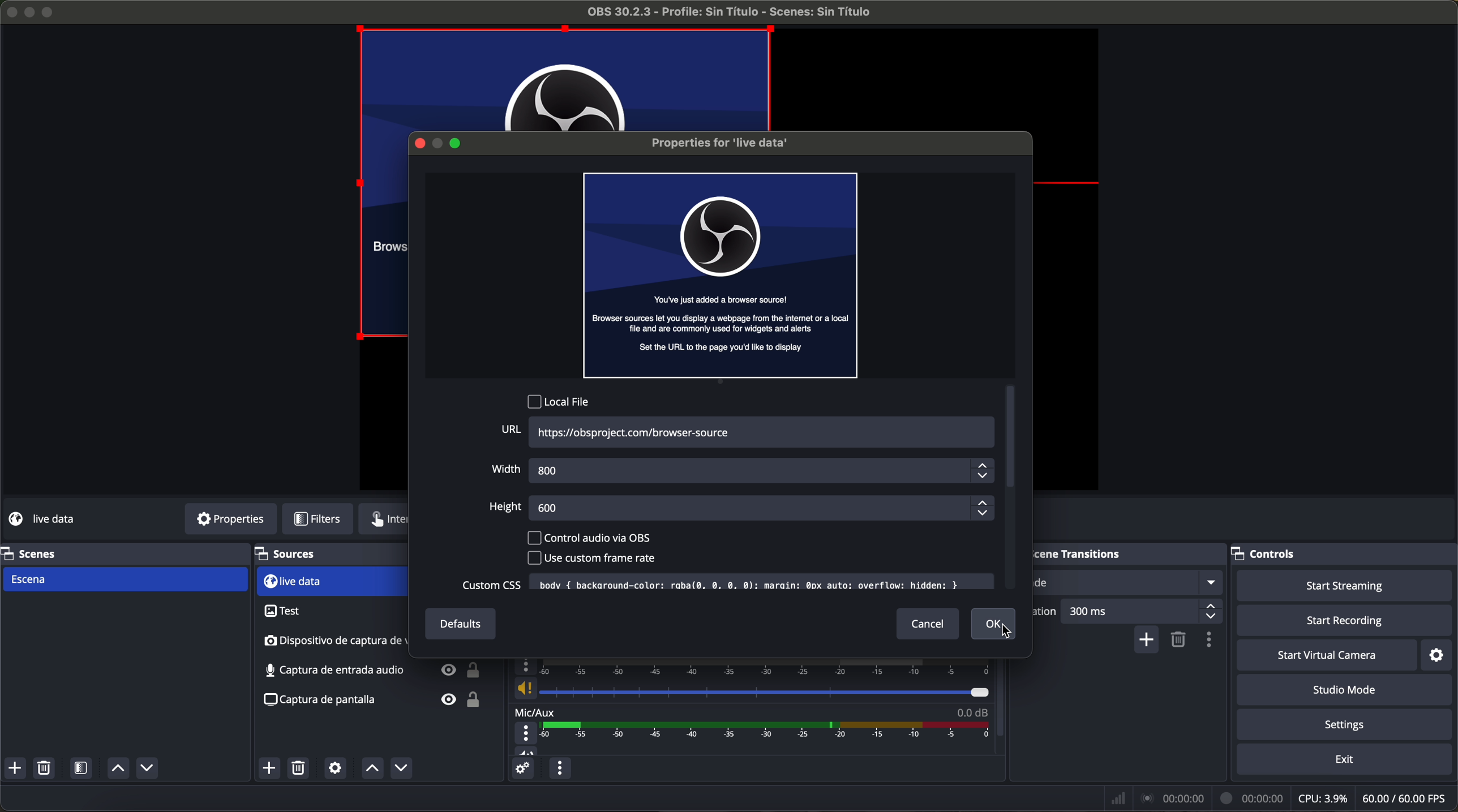 This screenshot has height=812, width=1458. Describe the element at coordinates (271, 768) in the screenshot. I see `click on add source` at that location.